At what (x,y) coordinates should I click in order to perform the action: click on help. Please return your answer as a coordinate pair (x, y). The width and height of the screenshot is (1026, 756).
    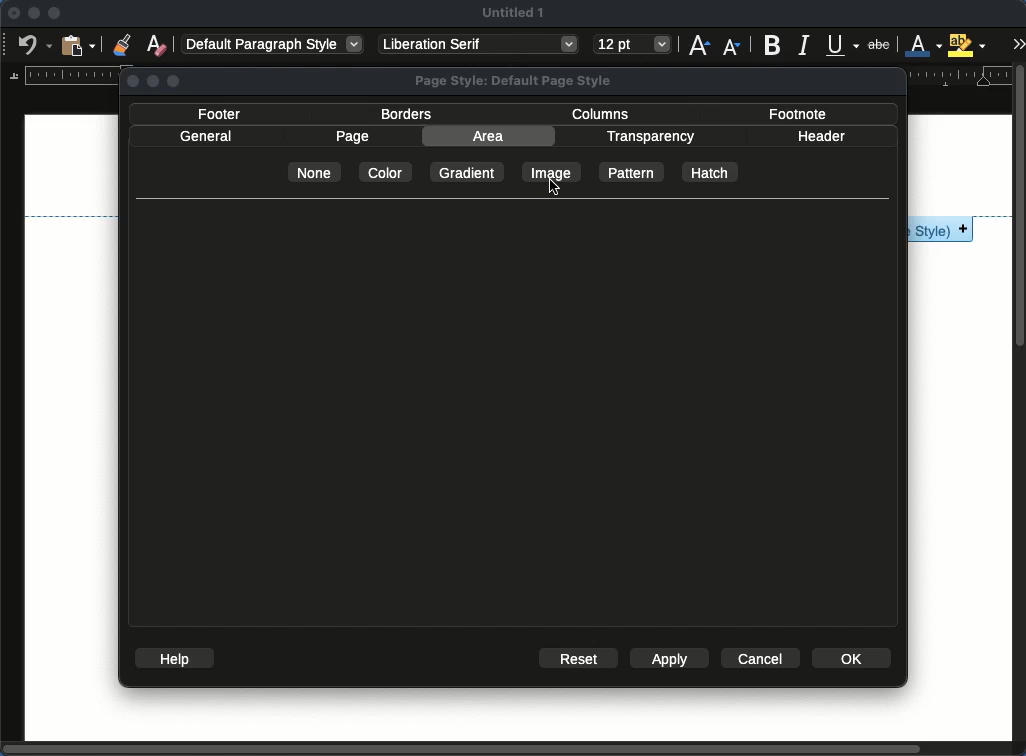
    Looking at the image, I should click on (174, 658).